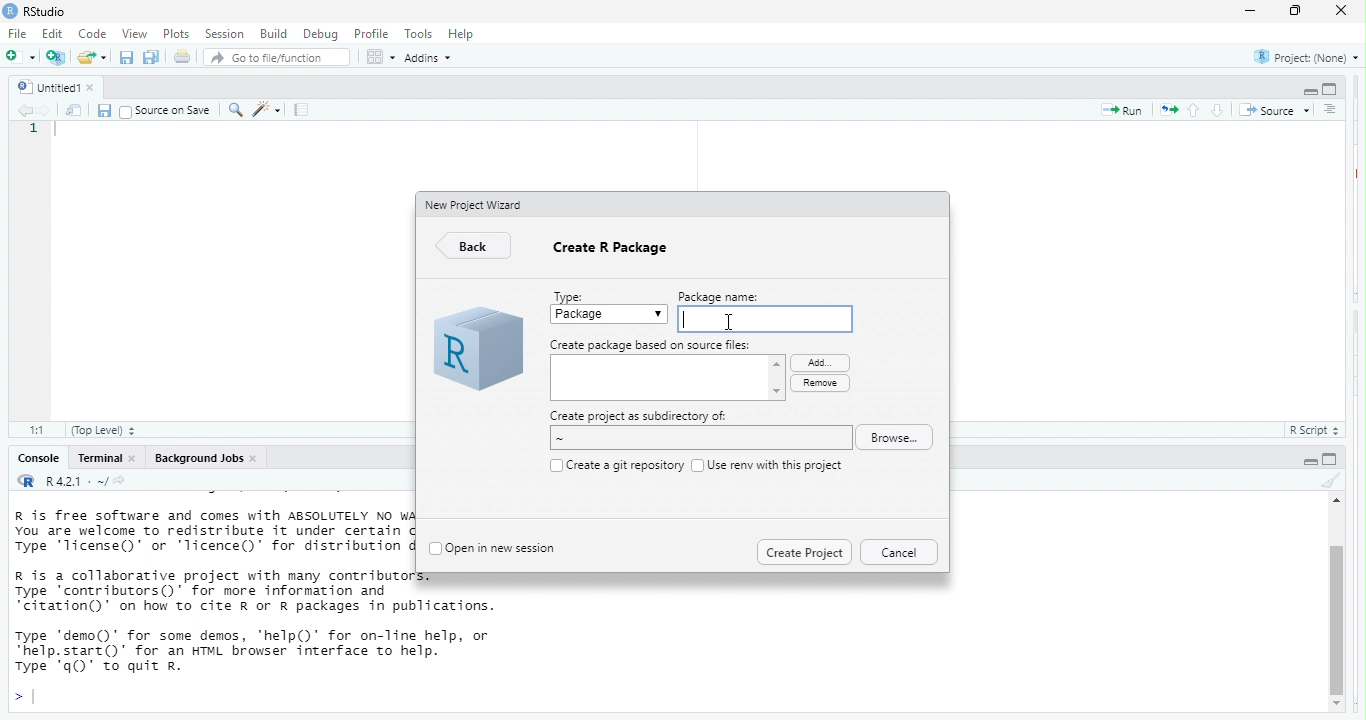 The height and width of the screenshot is (720, 1366). What do you see at coordinates (819, 383) in the screenshot?
I see `remove` at bounding box center [819, 383].